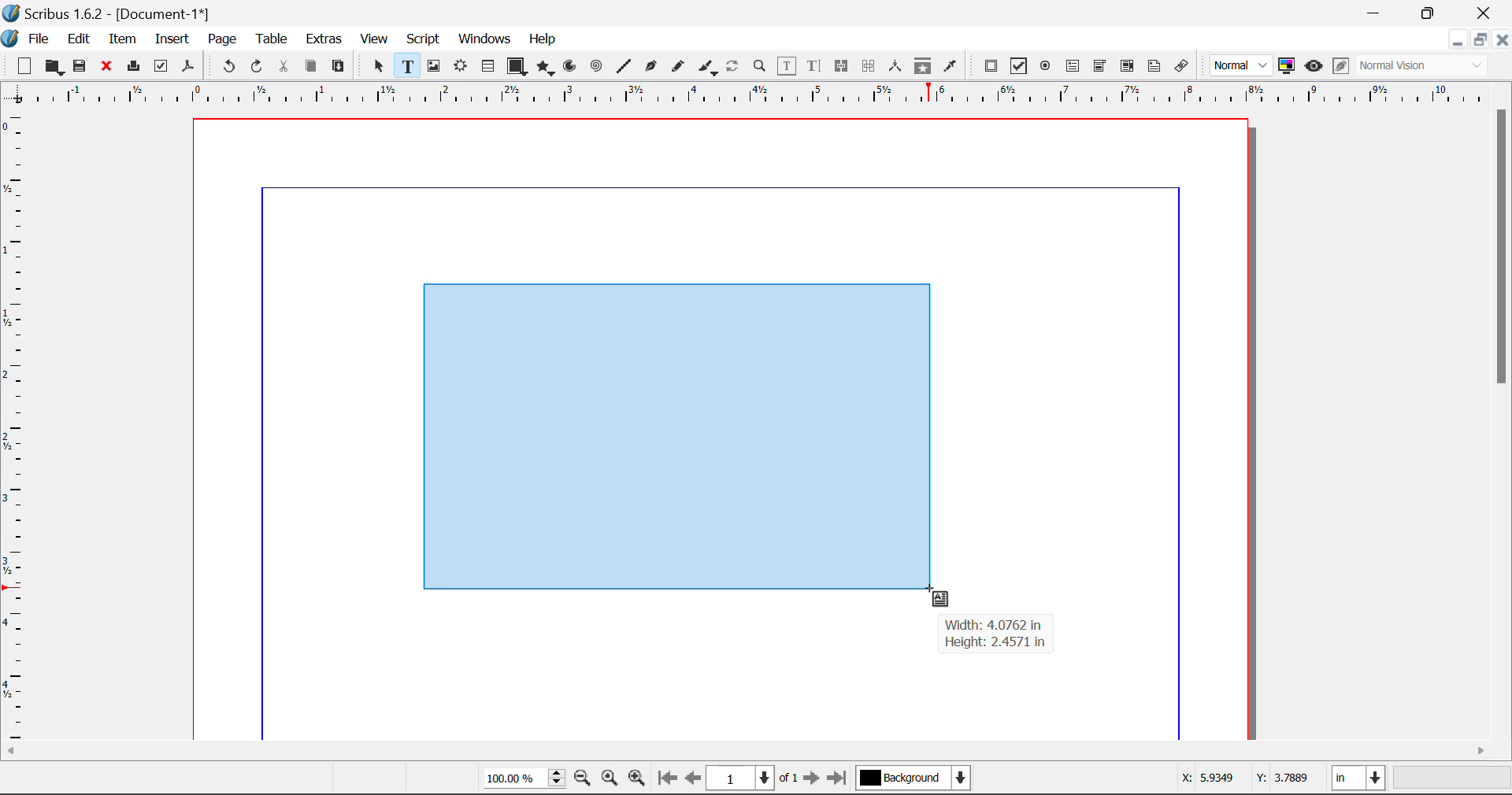 Image resolution: width=1512 pixels, height=795 pixels. I want to click on Mock Text Frame Generated, so click(674, 438).